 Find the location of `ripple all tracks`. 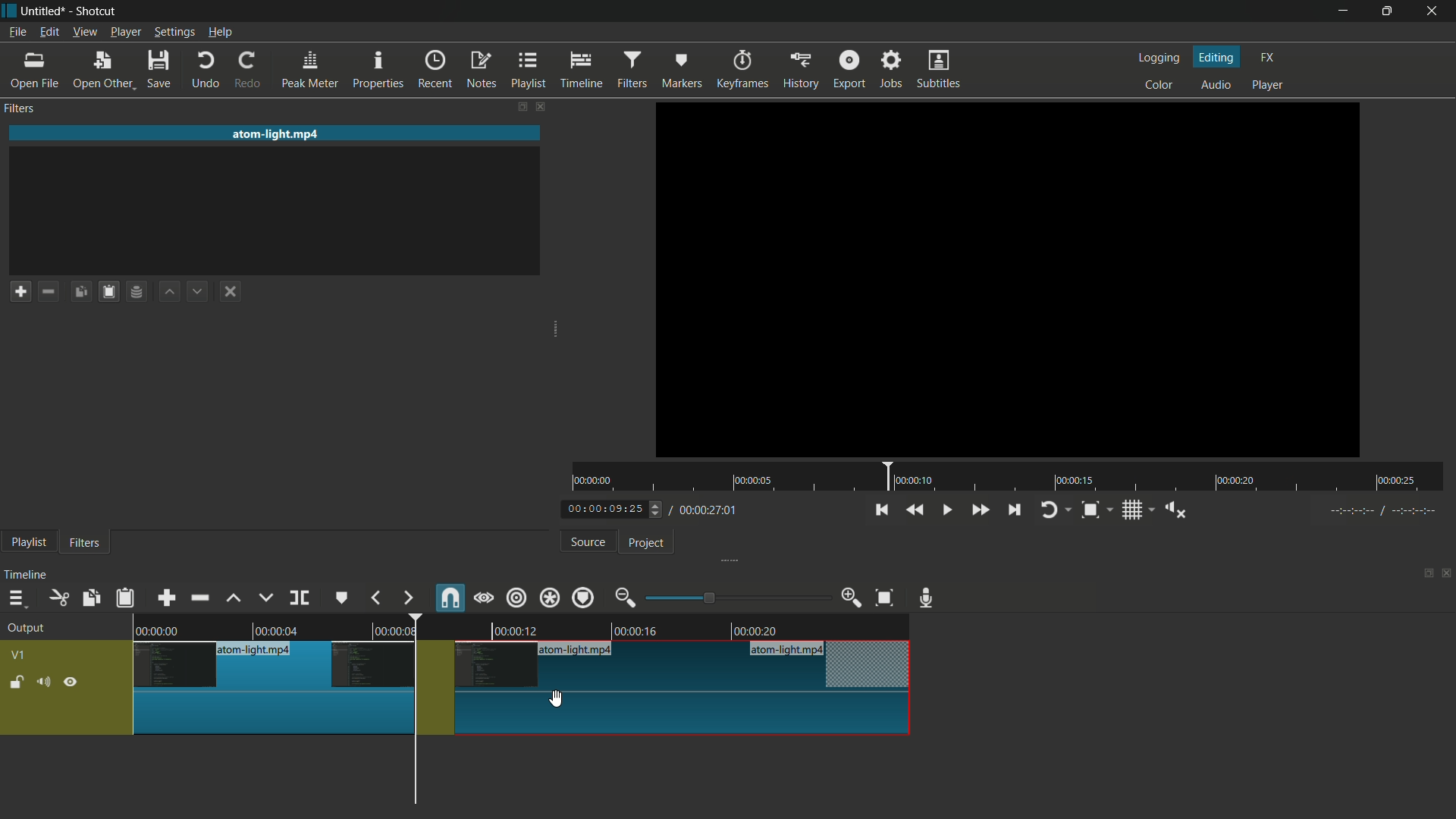

ripple all tracks is located at coordinates (549, 597).